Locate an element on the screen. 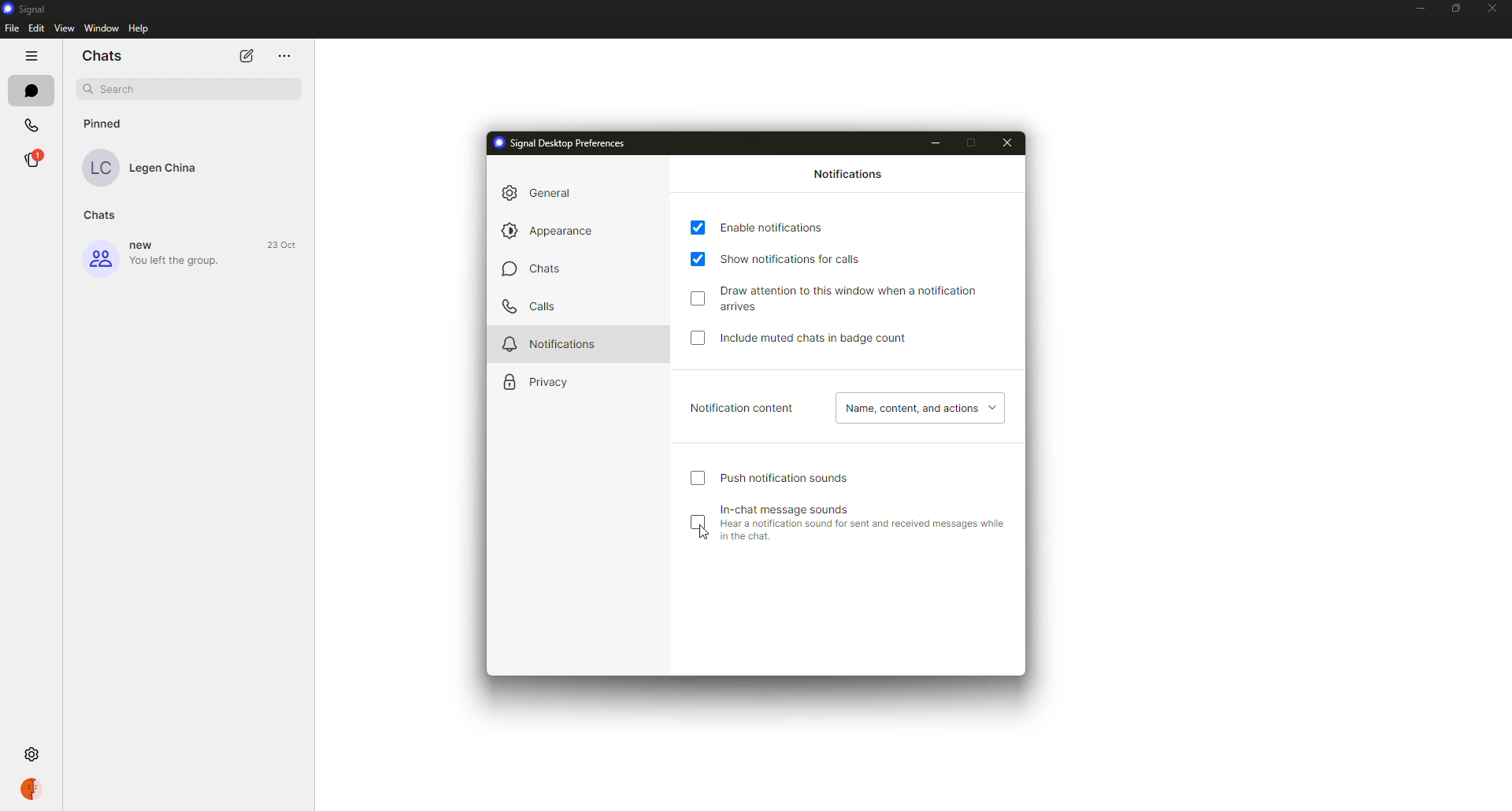  Pinned is located at coordinates (105, 124).